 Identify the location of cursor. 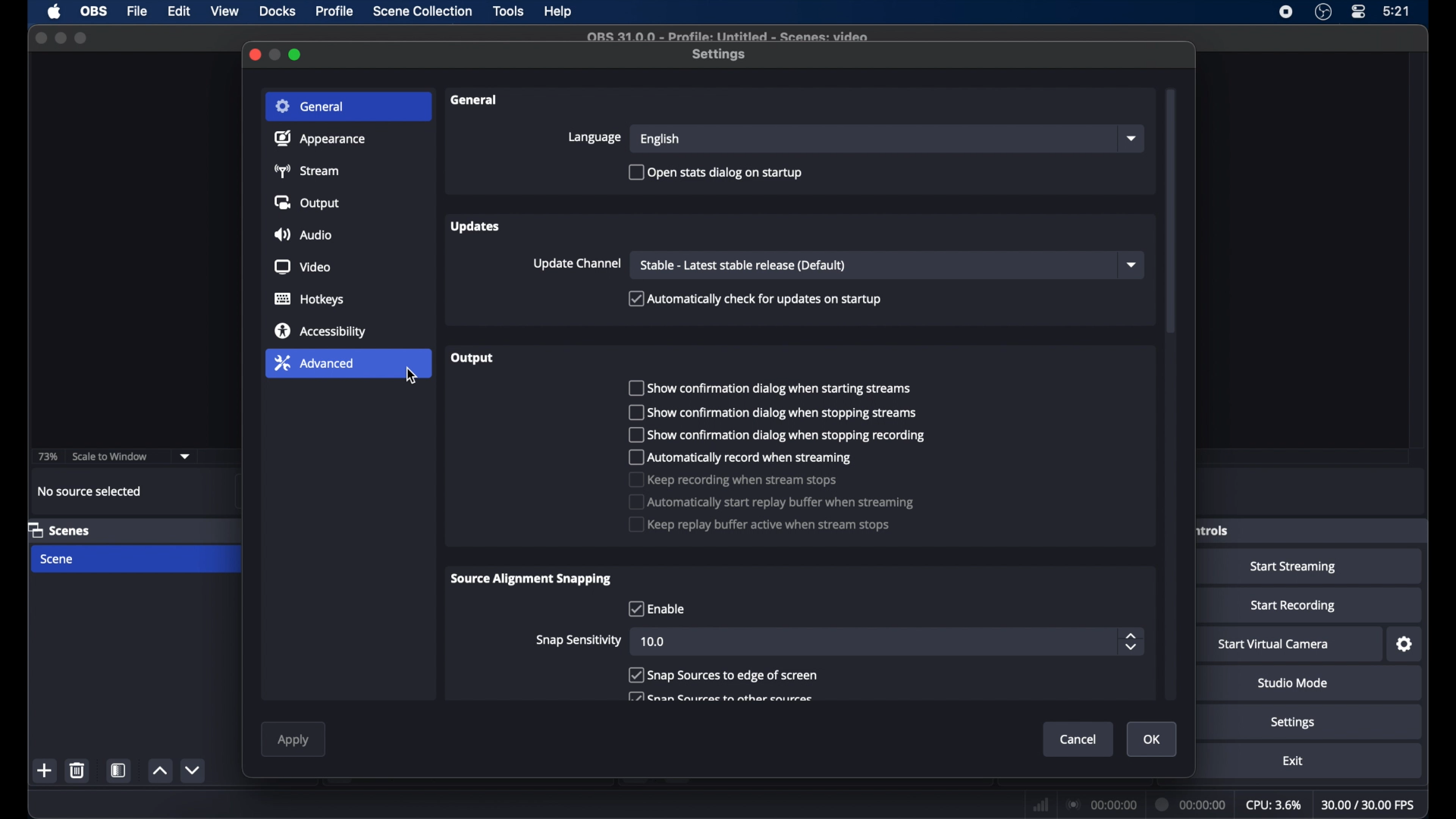
(413, 376).